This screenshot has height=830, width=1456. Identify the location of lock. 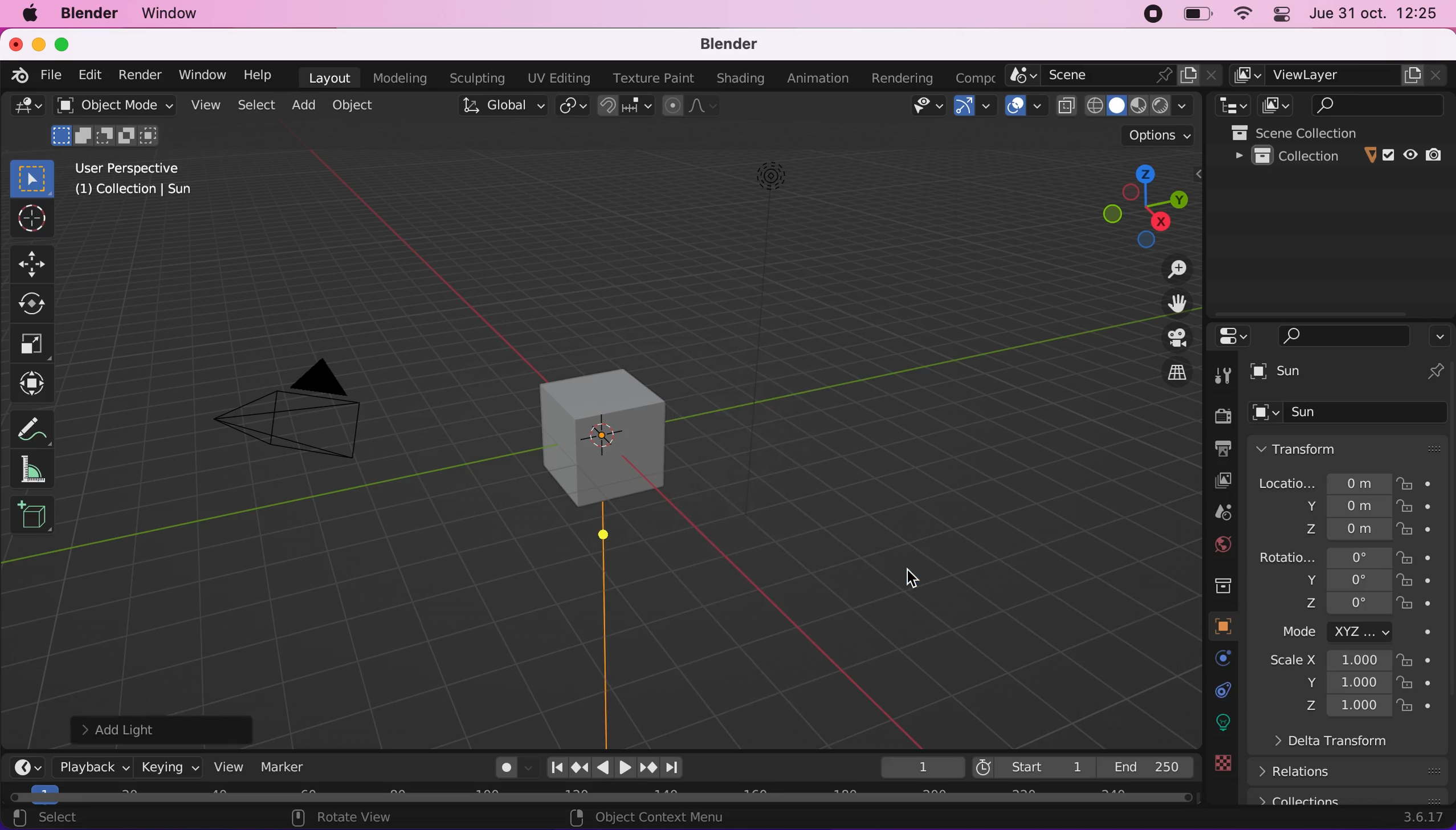
(1421, 482).